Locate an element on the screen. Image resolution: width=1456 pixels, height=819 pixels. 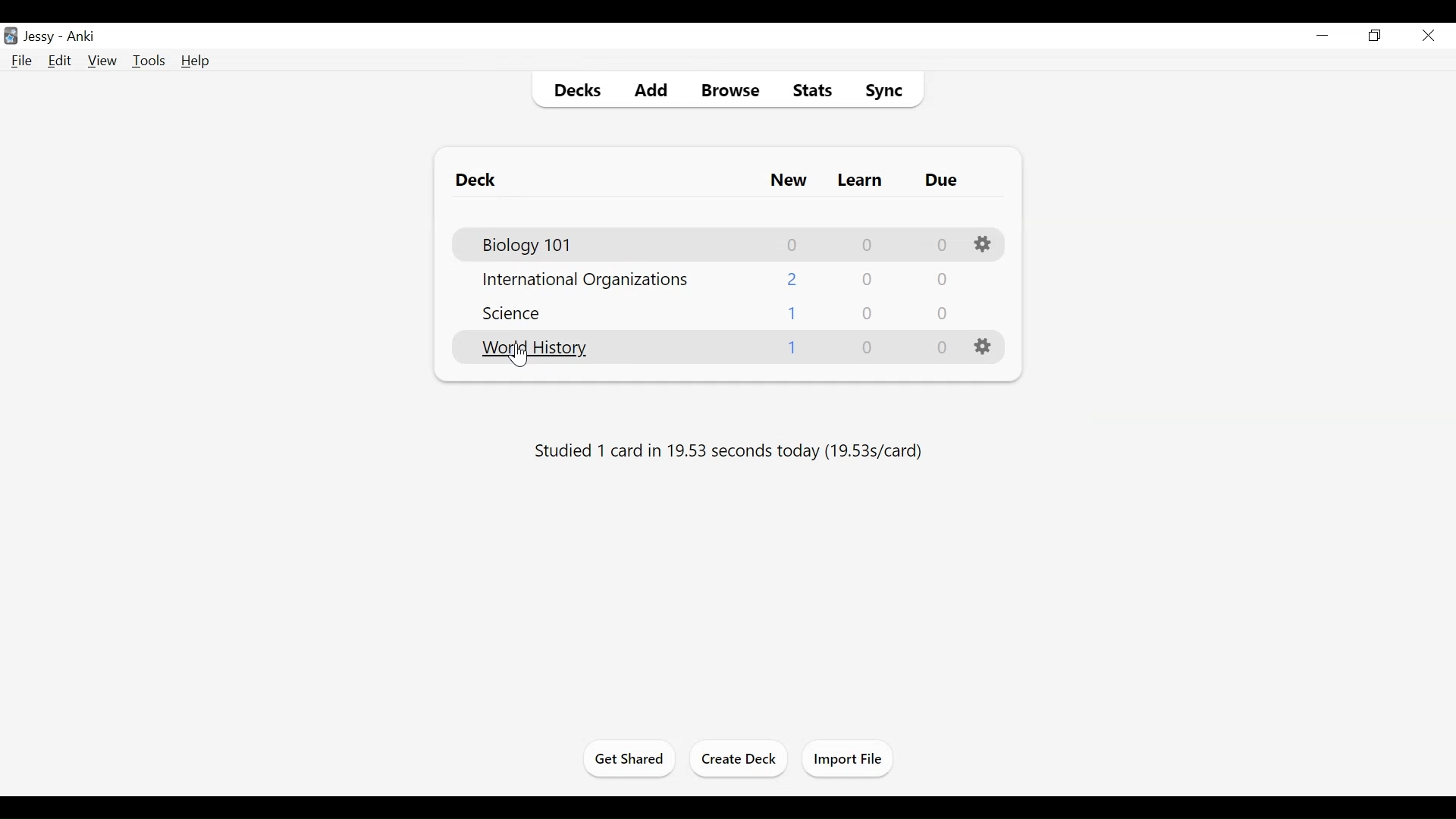
Add is located at coordinates (641, 90).